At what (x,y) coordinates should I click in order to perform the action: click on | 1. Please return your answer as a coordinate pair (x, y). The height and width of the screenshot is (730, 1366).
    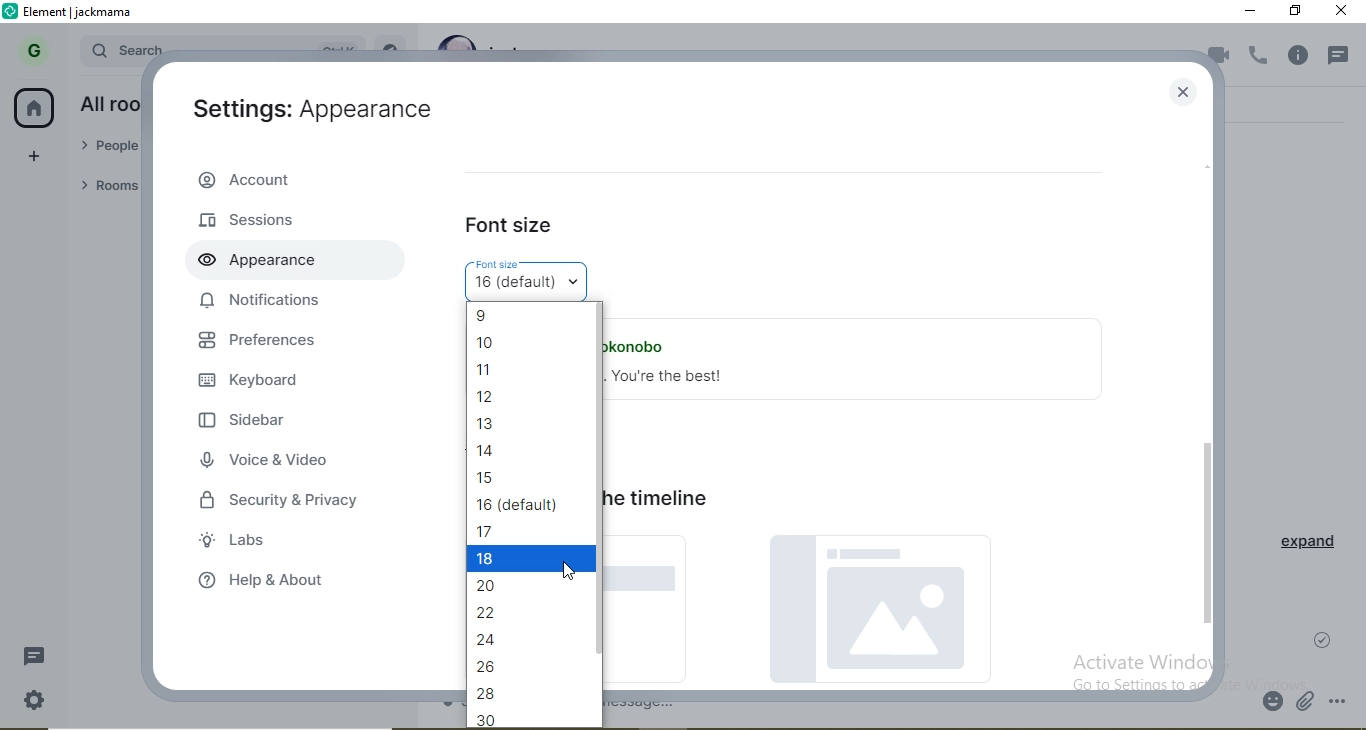
    Looking at the image, I should click on (514, 370).